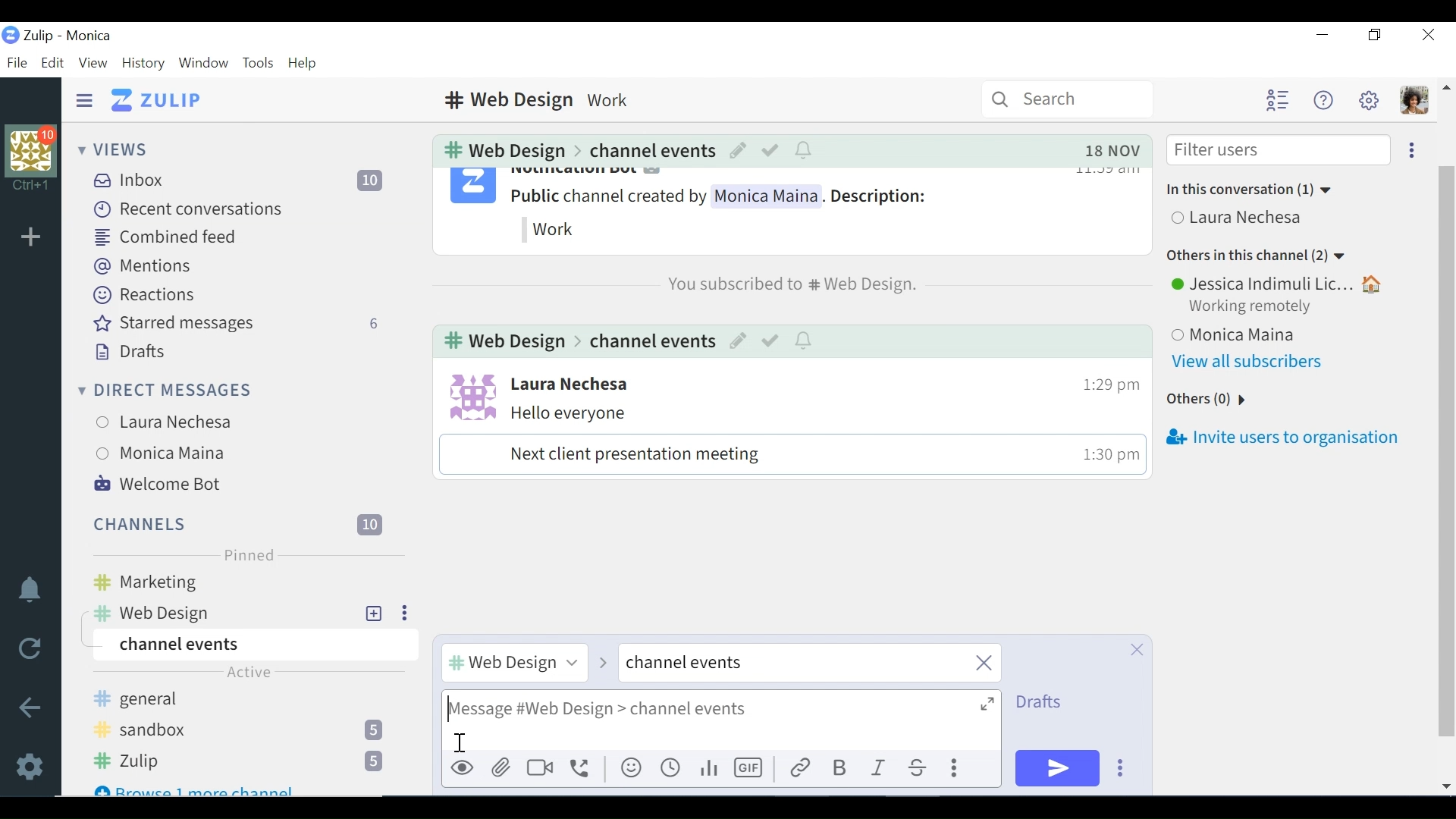 The image size is (1456, 819). I want to click on web design Channel, so click(221, 613).